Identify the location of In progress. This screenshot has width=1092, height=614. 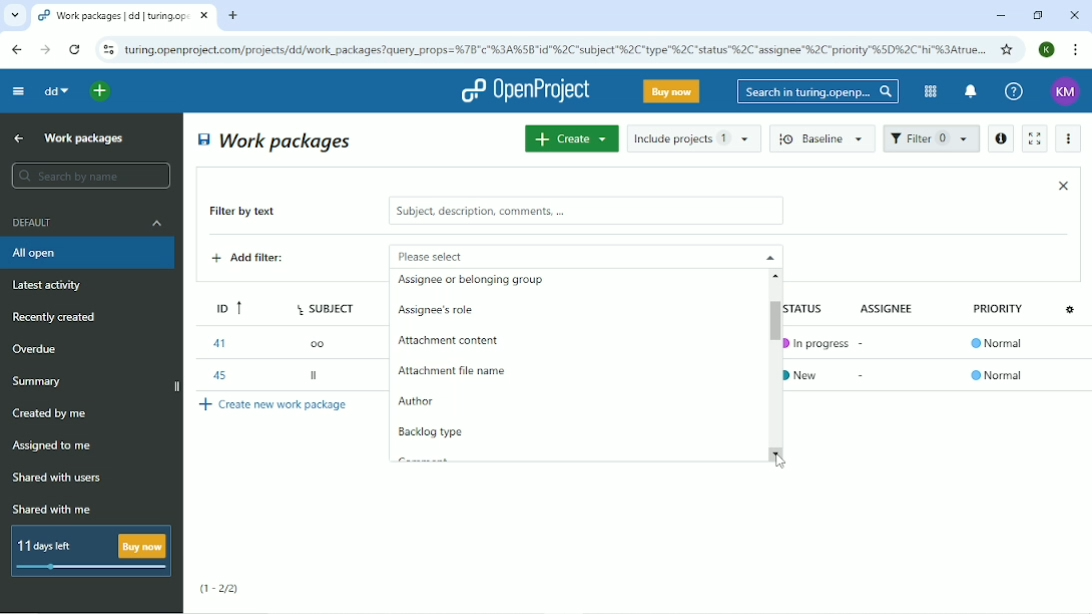
(816, 343).